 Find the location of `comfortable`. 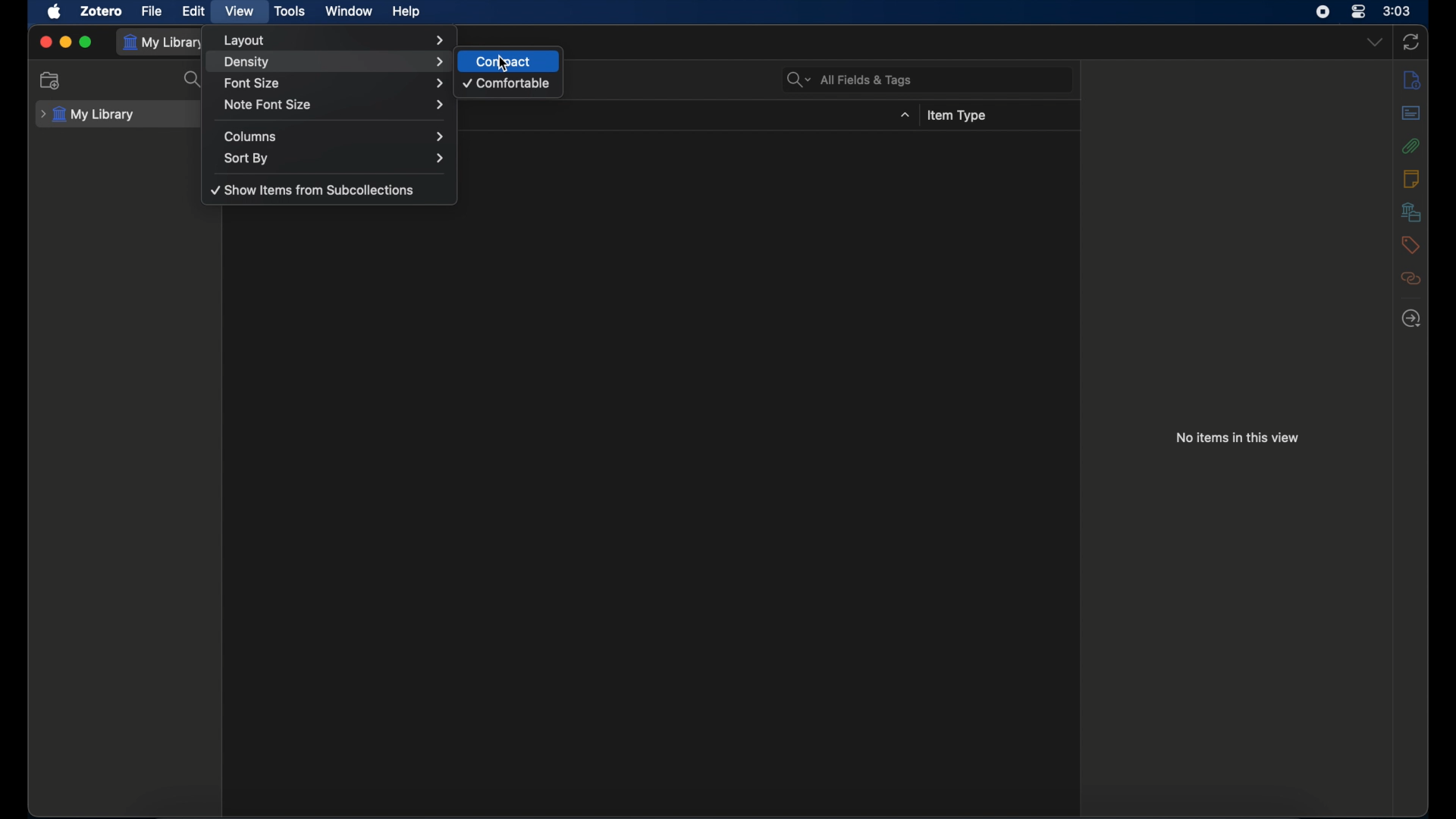

comfortable is located at coordinates (508, 82).